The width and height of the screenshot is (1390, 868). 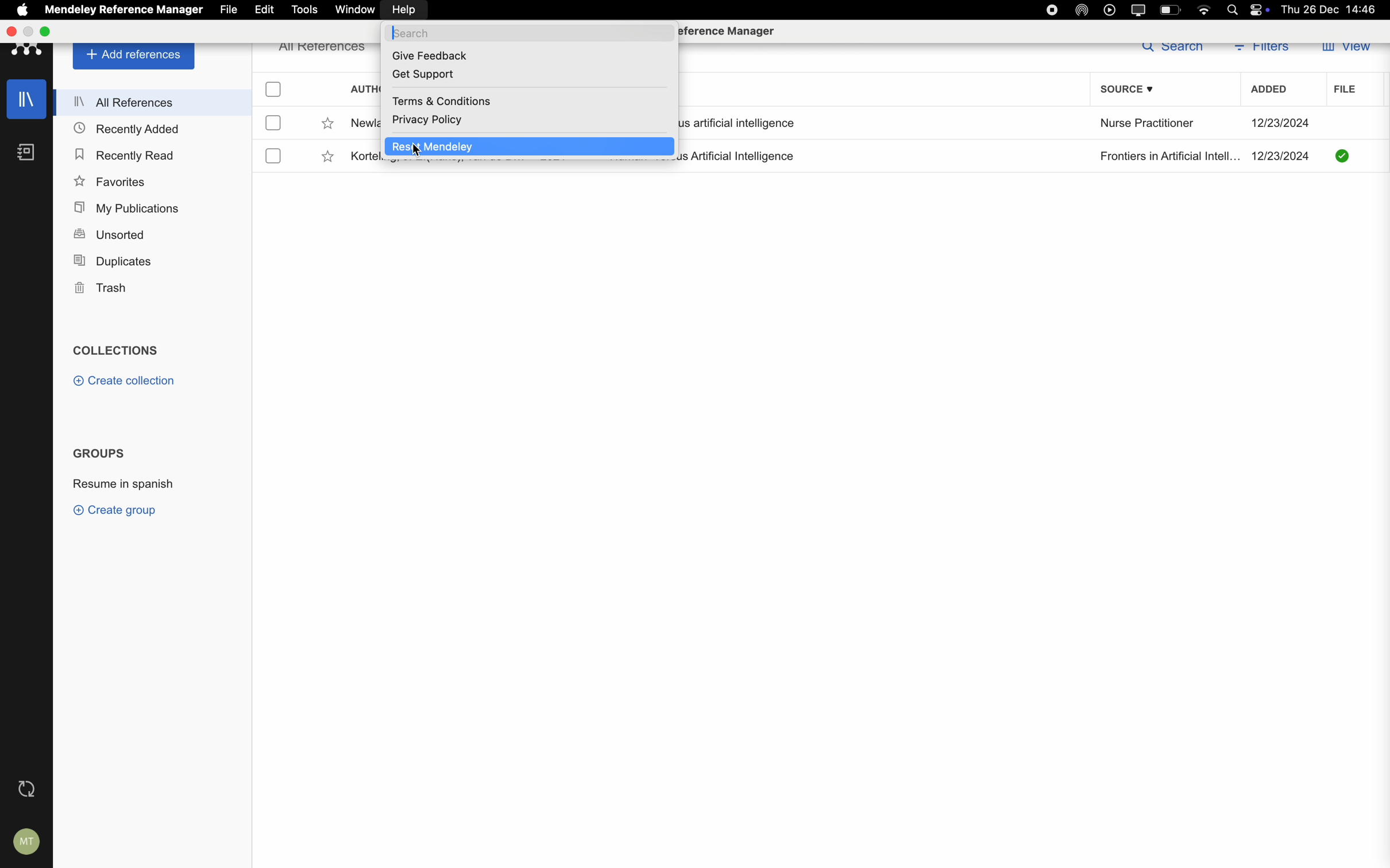 I want to click on Artificial Intelligence, so click(x=746, y=154).